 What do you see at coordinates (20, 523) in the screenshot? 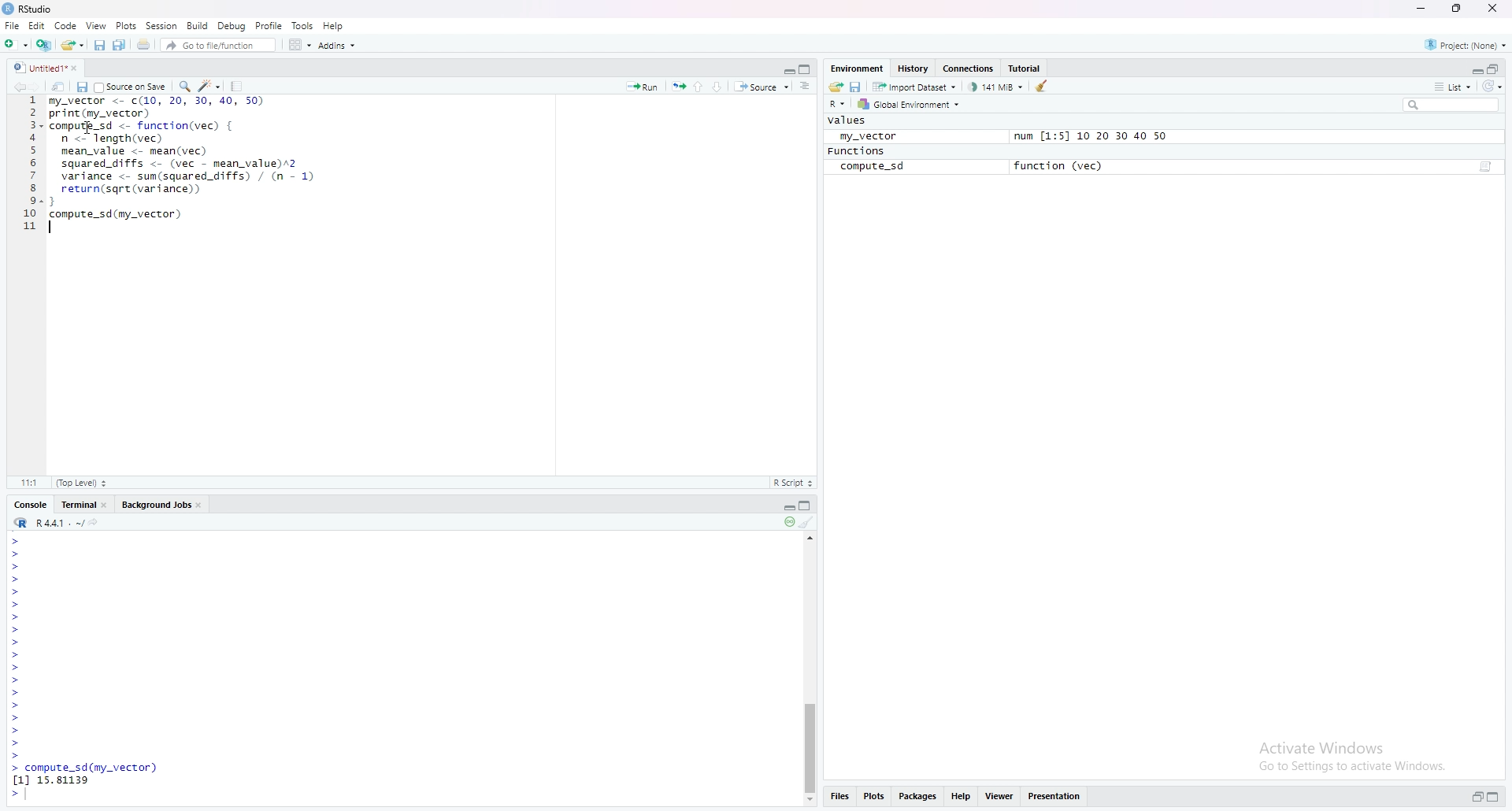
I see `RStudio logo` at bounding box center [20, 523].